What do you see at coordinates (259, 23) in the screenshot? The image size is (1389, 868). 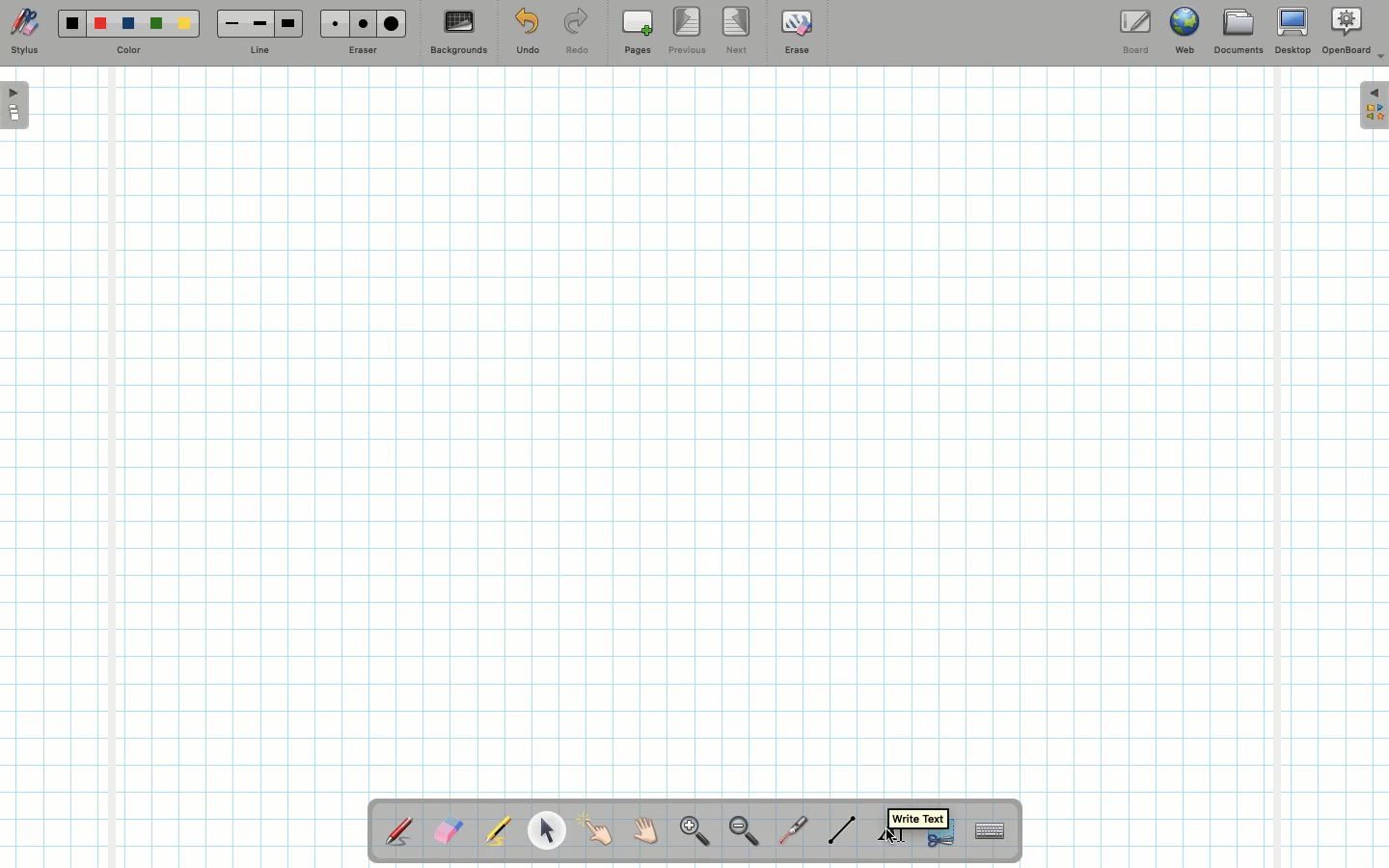 I see `Medium line` at bounding box center [259, 23].